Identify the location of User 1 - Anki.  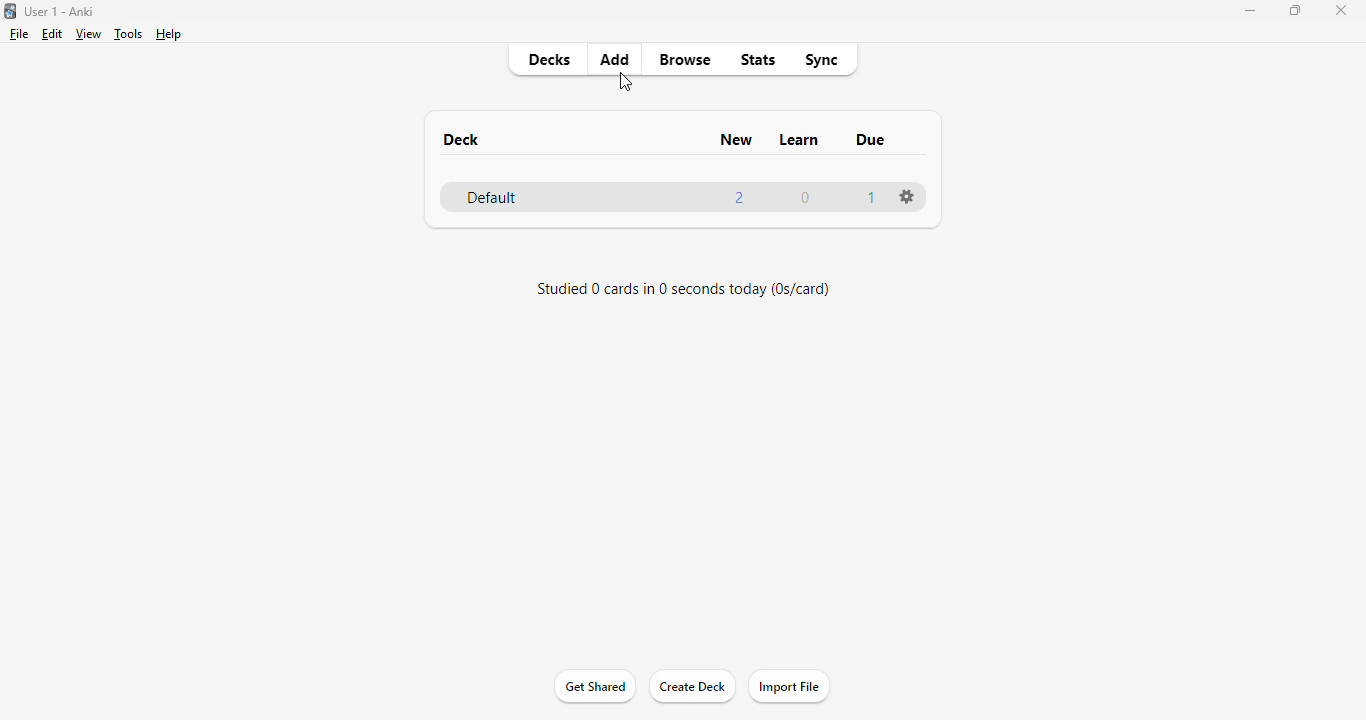
(61, 11).